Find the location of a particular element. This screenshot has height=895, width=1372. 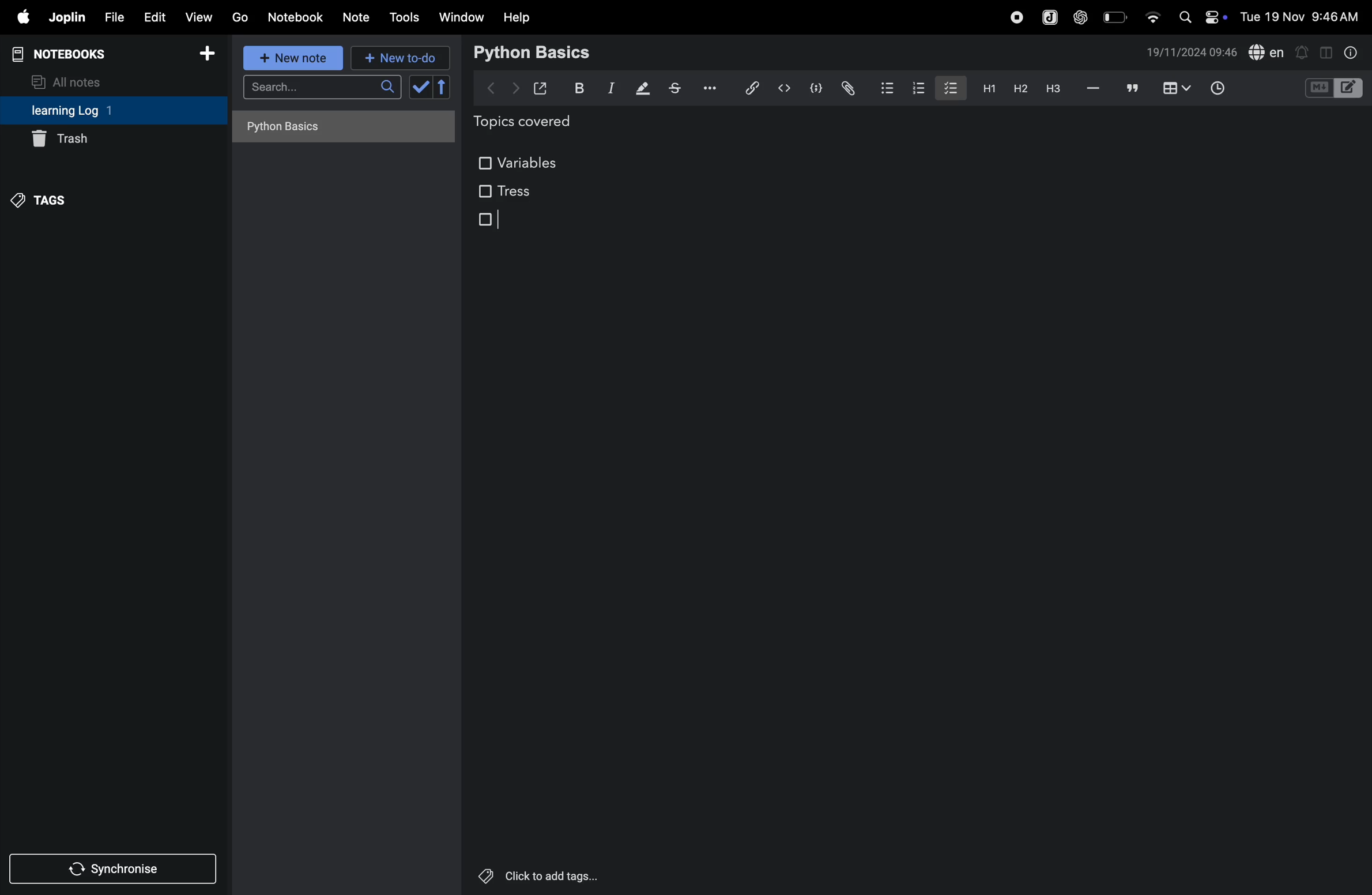

chatgpt is located at coordinates (1081, 16).